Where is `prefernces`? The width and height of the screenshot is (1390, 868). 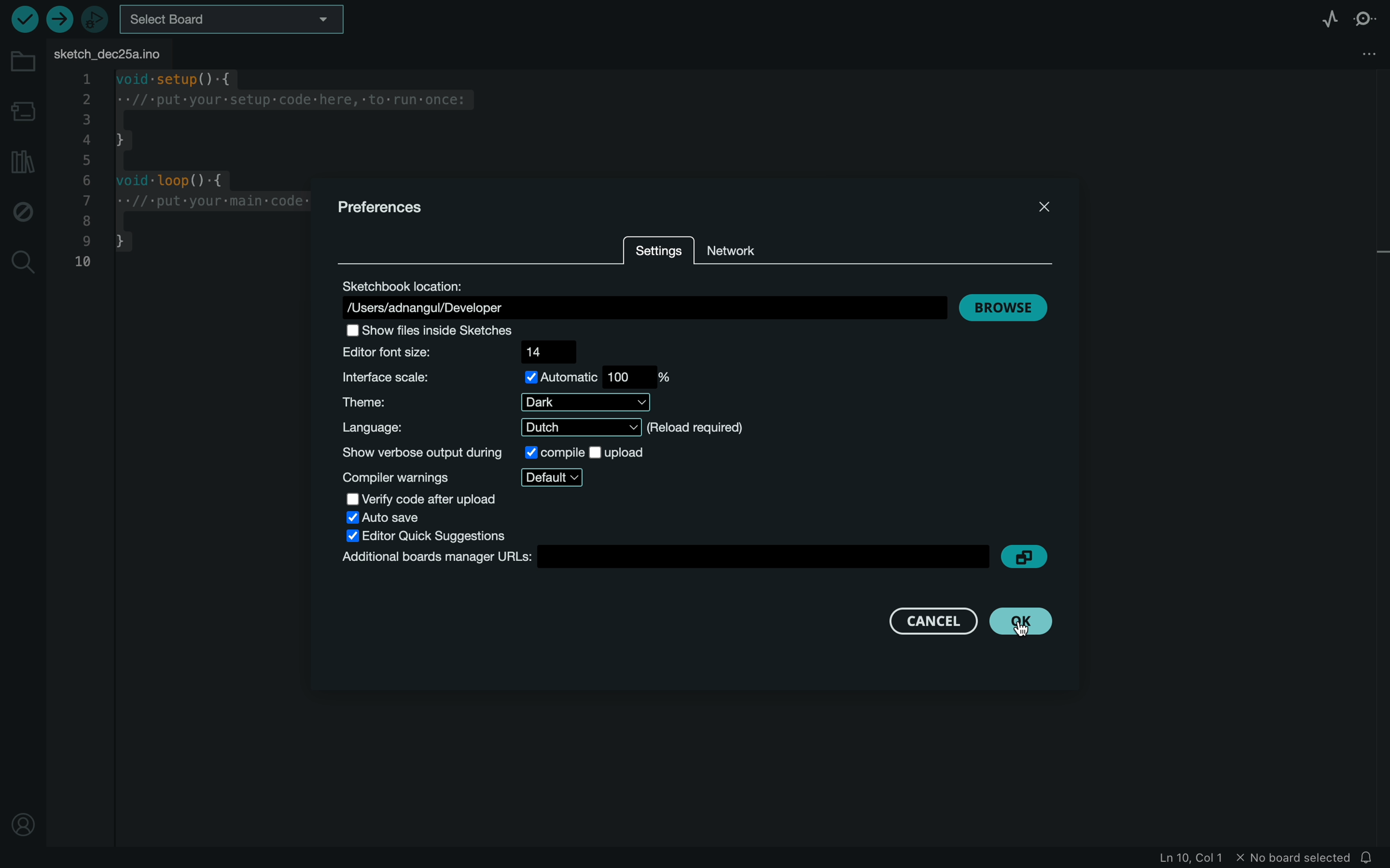 prefernces is located at coordinates (386, 207).